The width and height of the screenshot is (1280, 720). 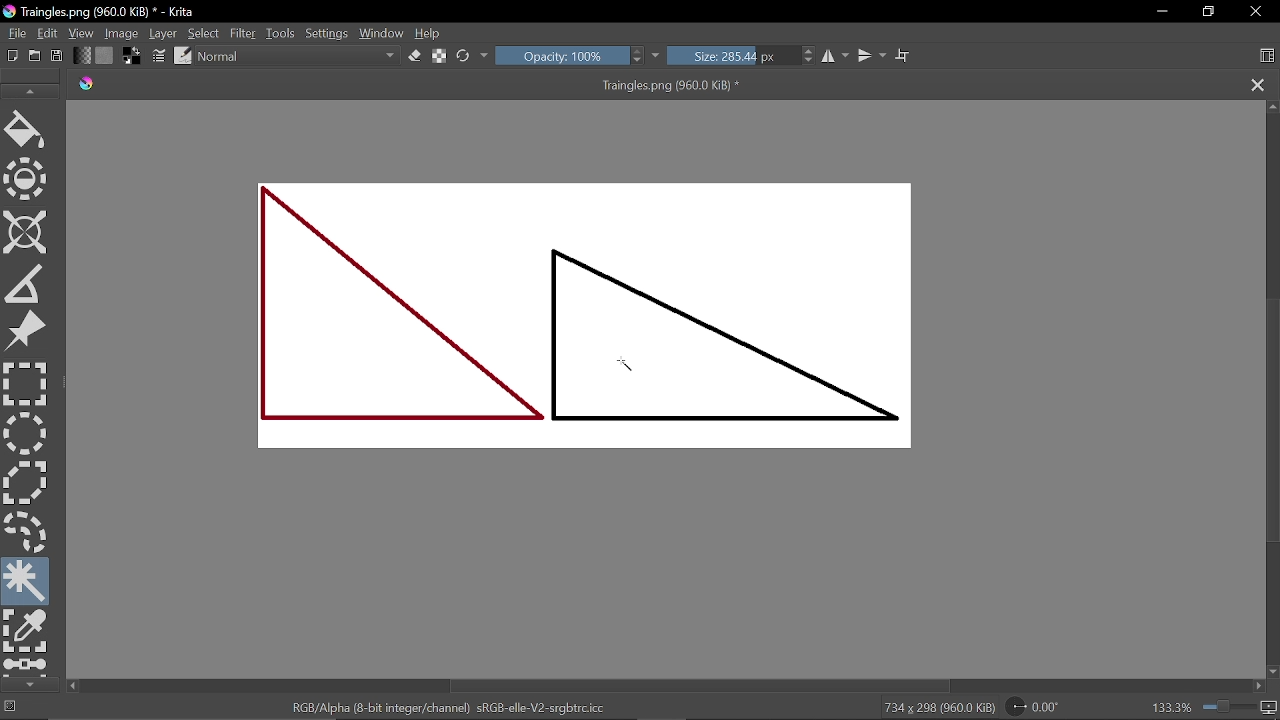 I want to click on RGB, so click(x=447, y=708).